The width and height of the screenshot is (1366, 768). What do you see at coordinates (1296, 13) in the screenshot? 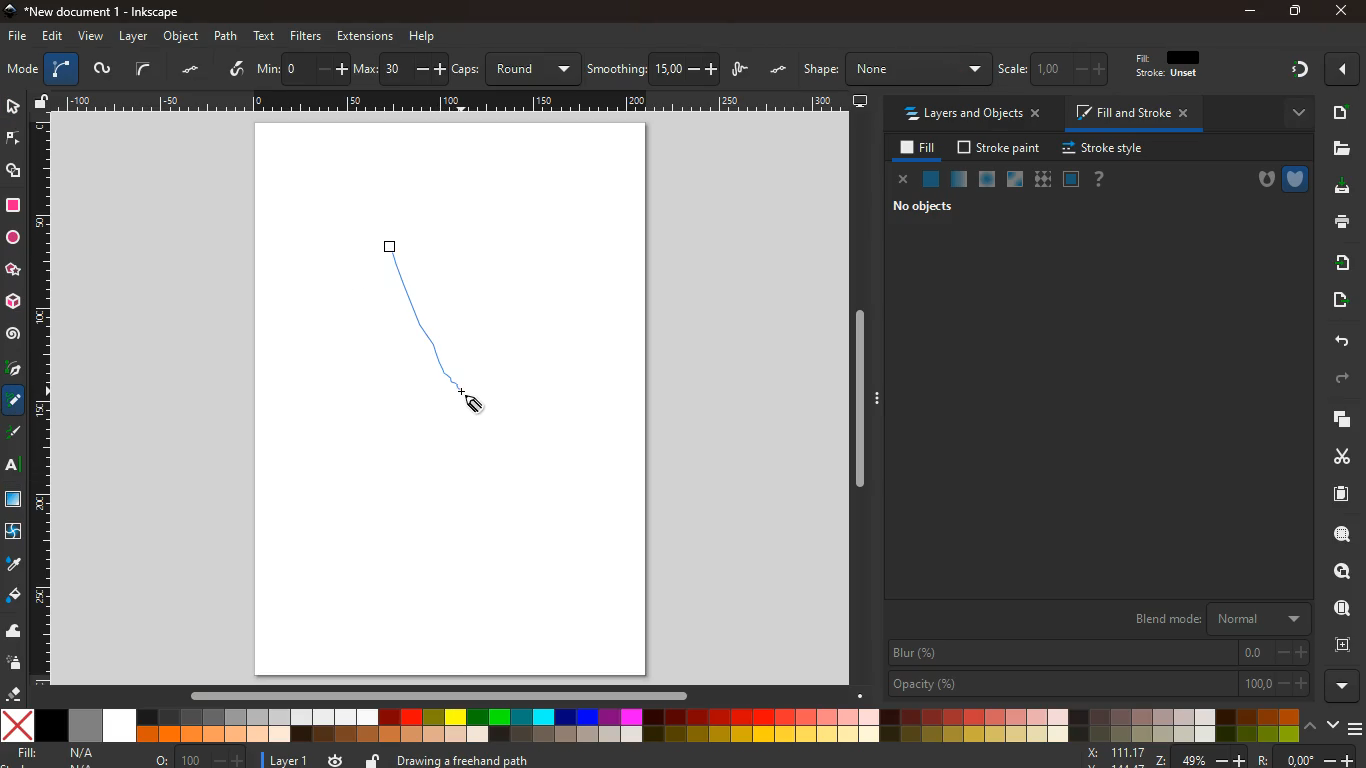
I see `maximize` at bounding box center [1296, 13].